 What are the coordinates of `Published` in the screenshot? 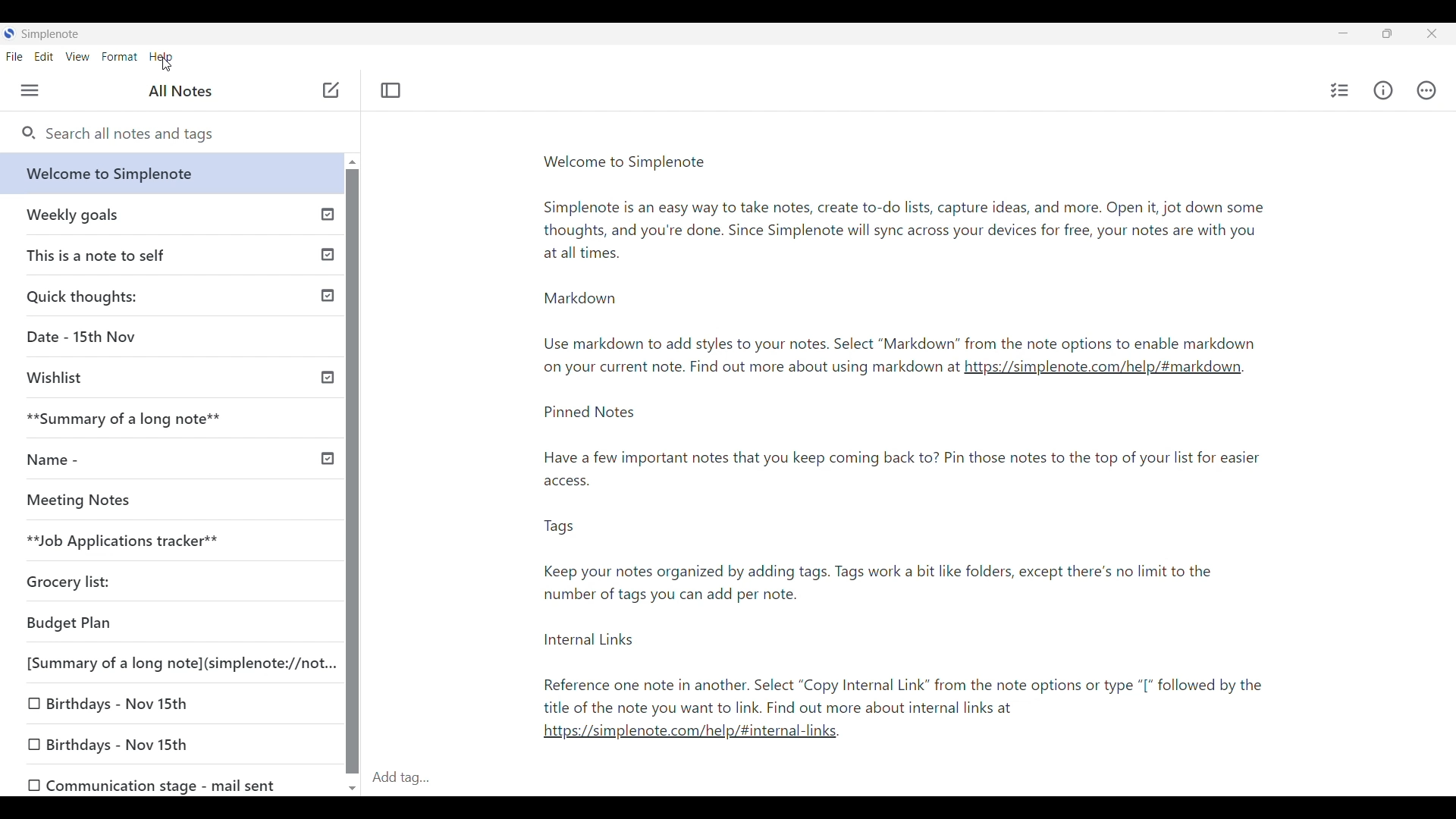 It's located at (331, 212).